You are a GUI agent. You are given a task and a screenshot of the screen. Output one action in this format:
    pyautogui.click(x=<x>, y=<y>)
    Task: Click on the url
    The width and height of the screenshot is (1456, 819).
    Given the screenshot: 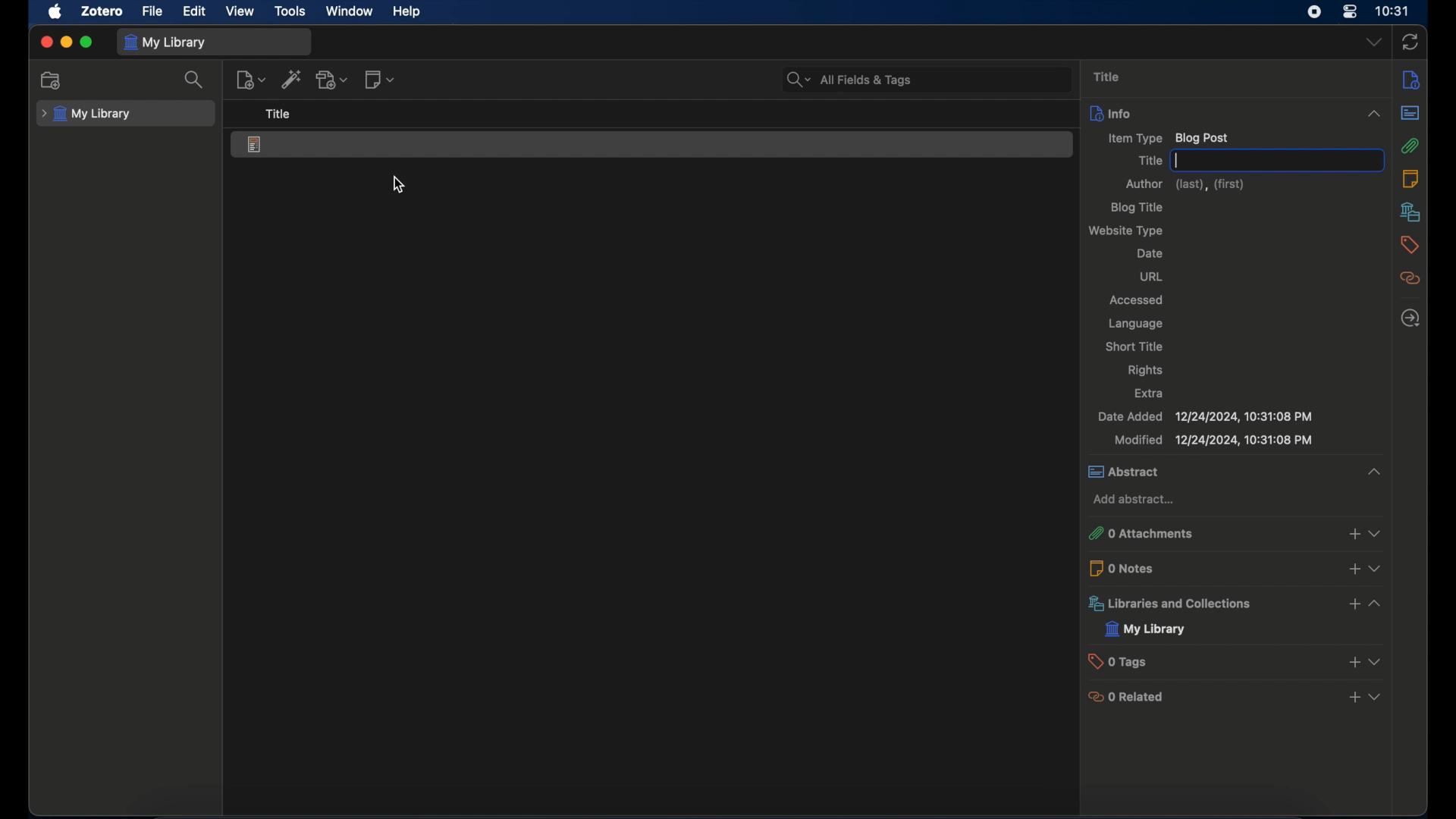 What is the action you would take?
    pyautogui.click(x=1153, y=276)
    